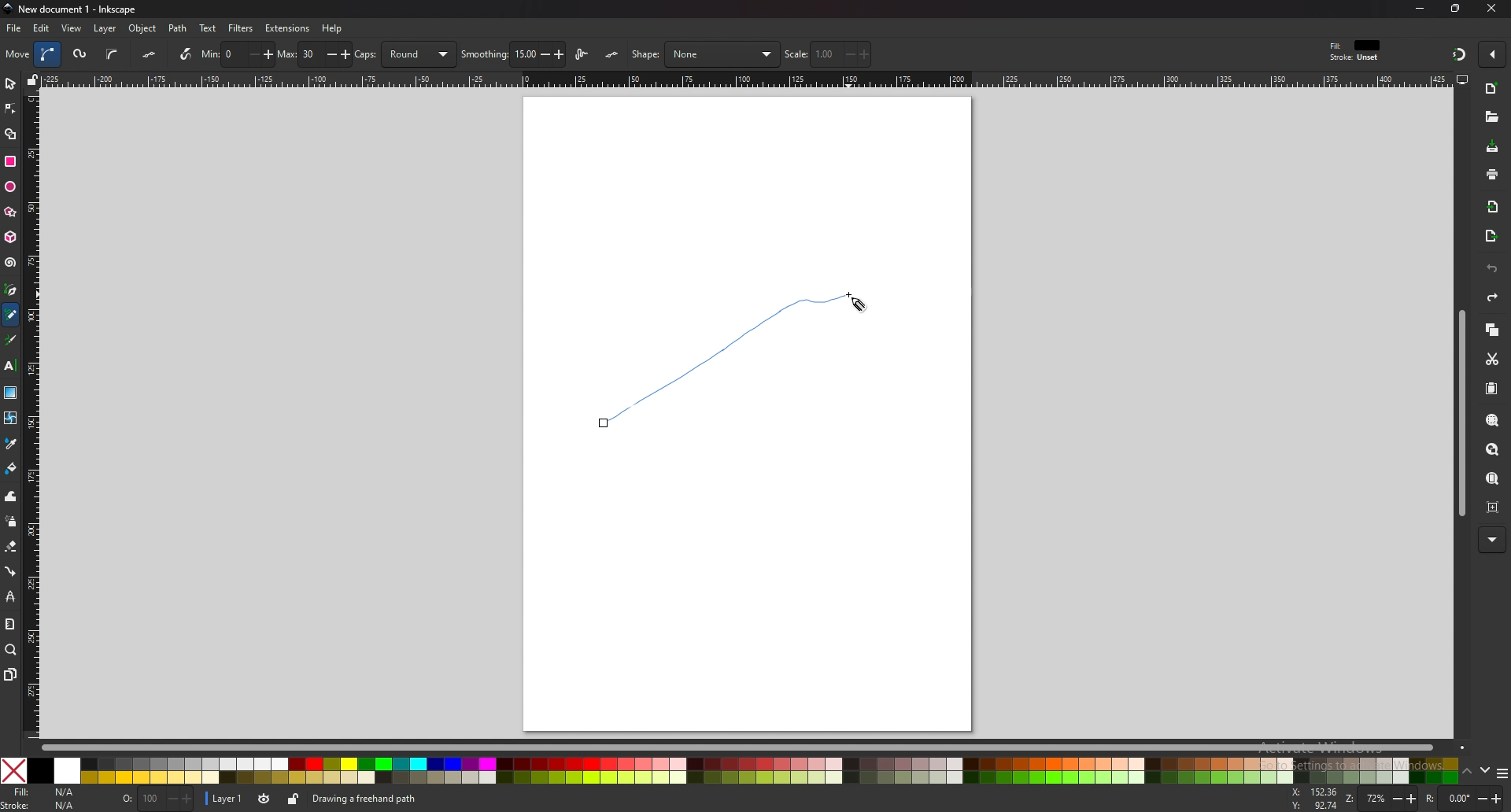 Image resolution: width=1511 pixels, height=812 pixels. I want to click on shape, so click(704, 54).